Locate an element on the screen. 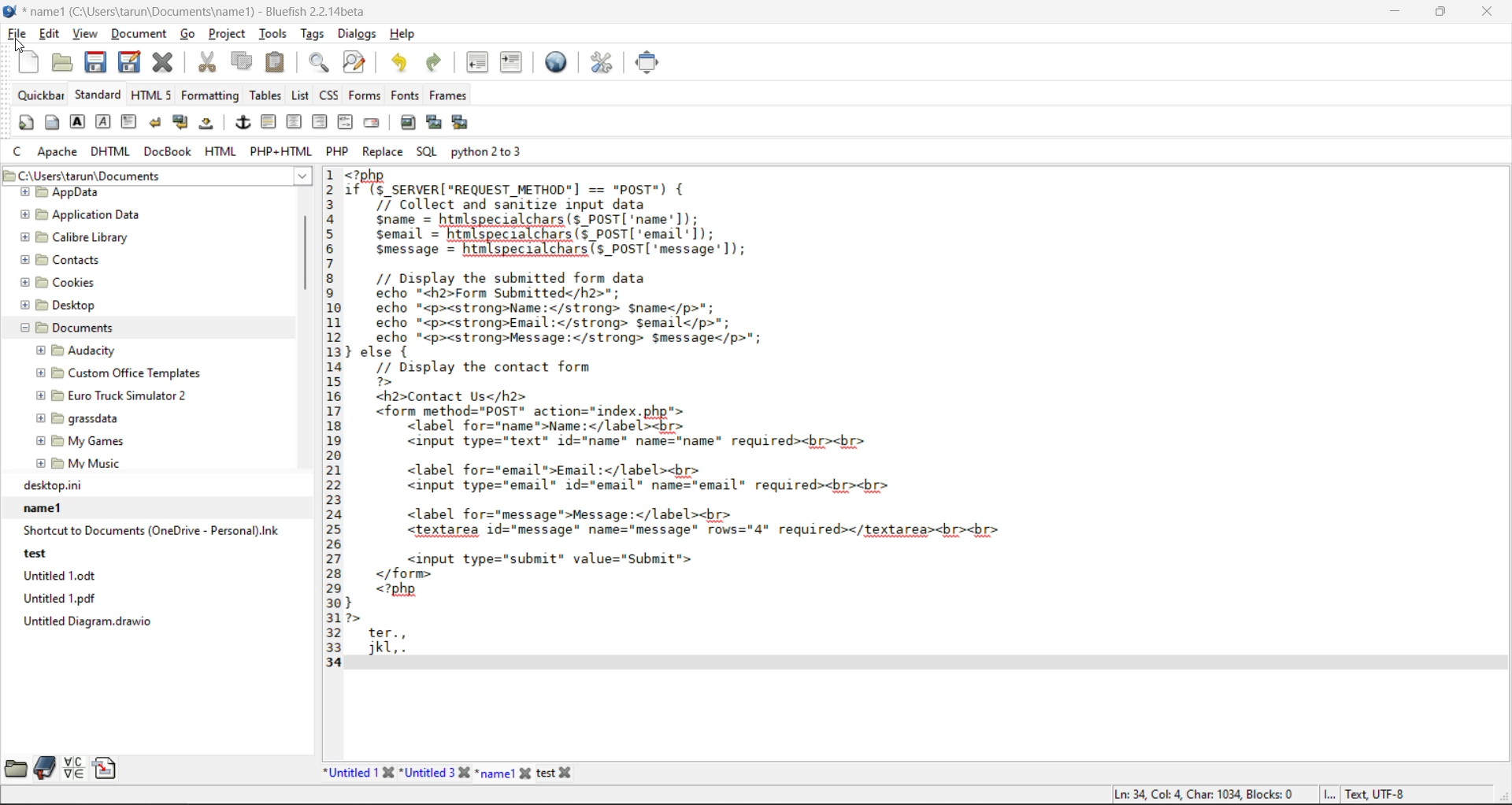  list is located at coordinates (302, 96).